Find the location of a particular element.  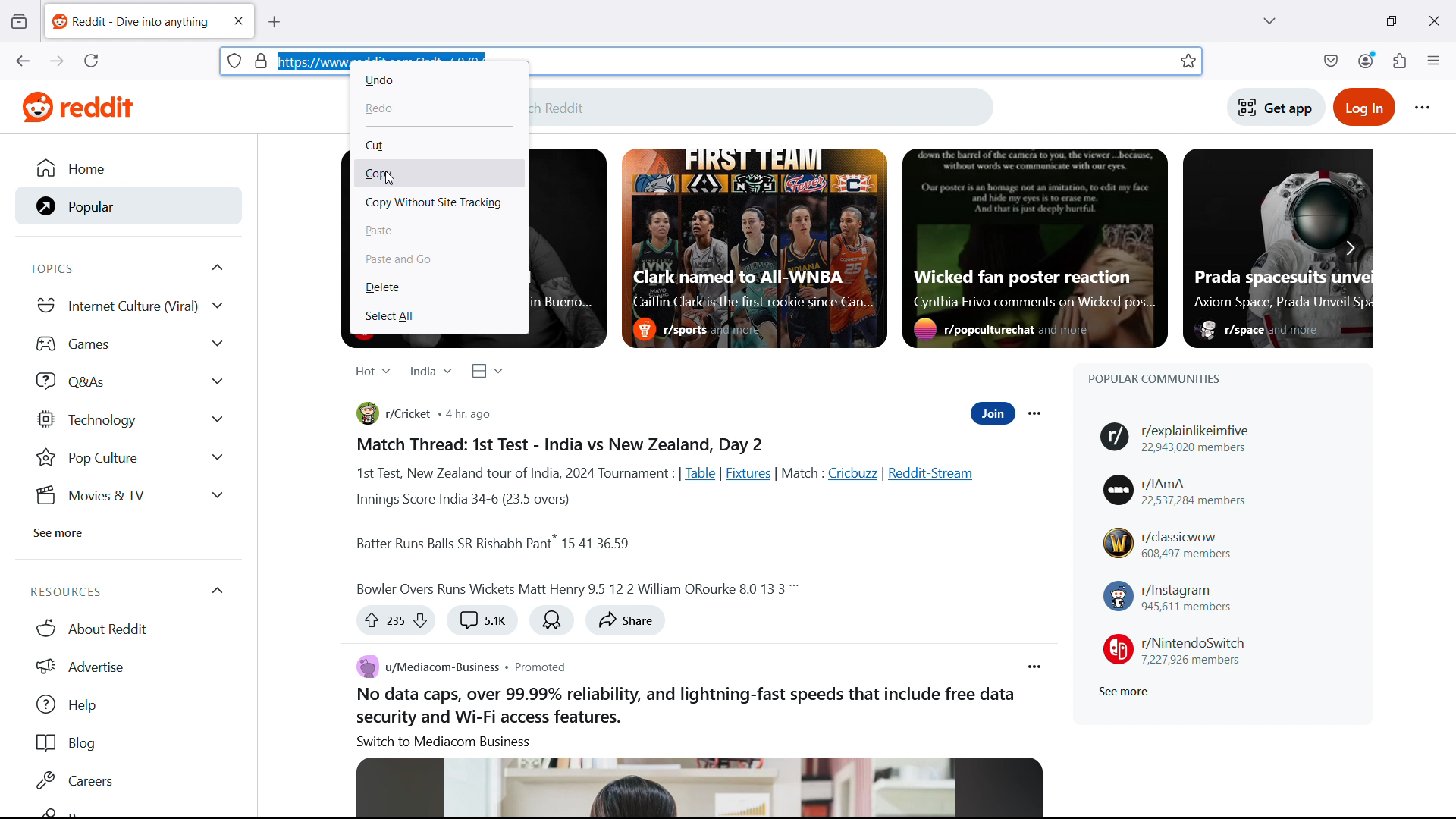

r/cricket community is located at coordinates (394, 414).